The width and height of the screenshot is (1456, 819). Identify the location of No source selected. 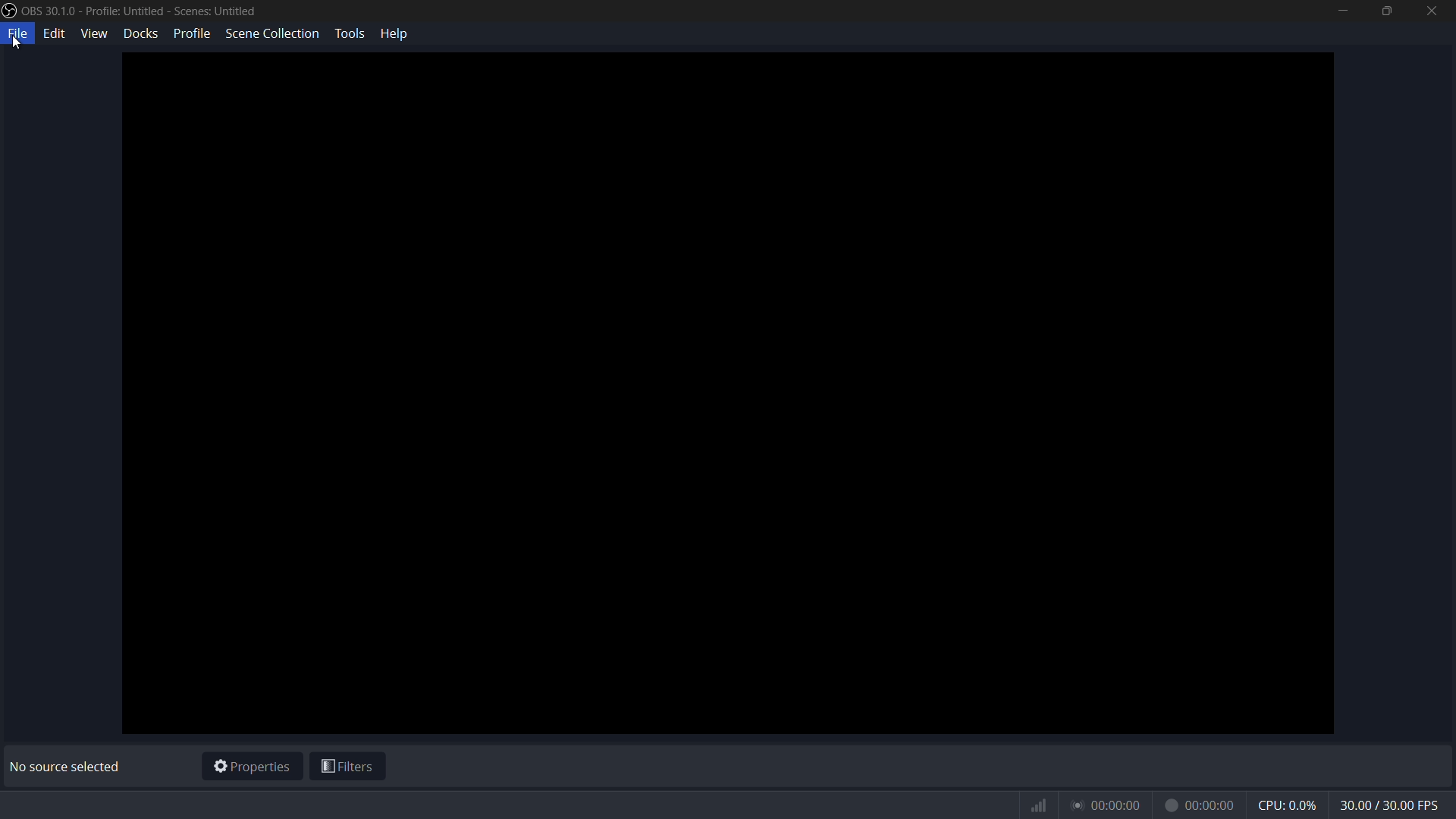
(69, 767).